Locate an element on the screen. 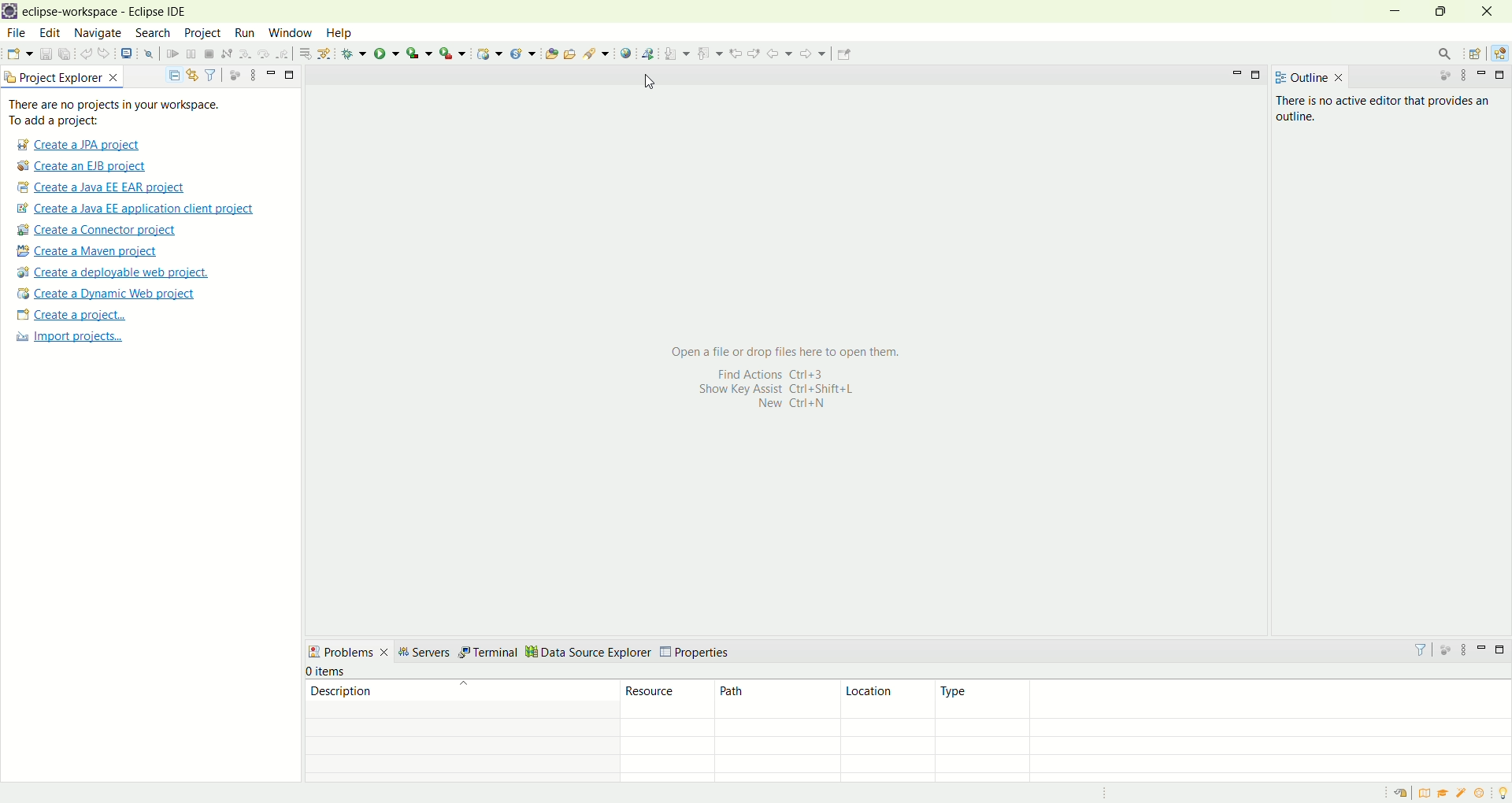 The height and width of the screenshot is (803, 1512). forward is located at coordinates (811, 57).